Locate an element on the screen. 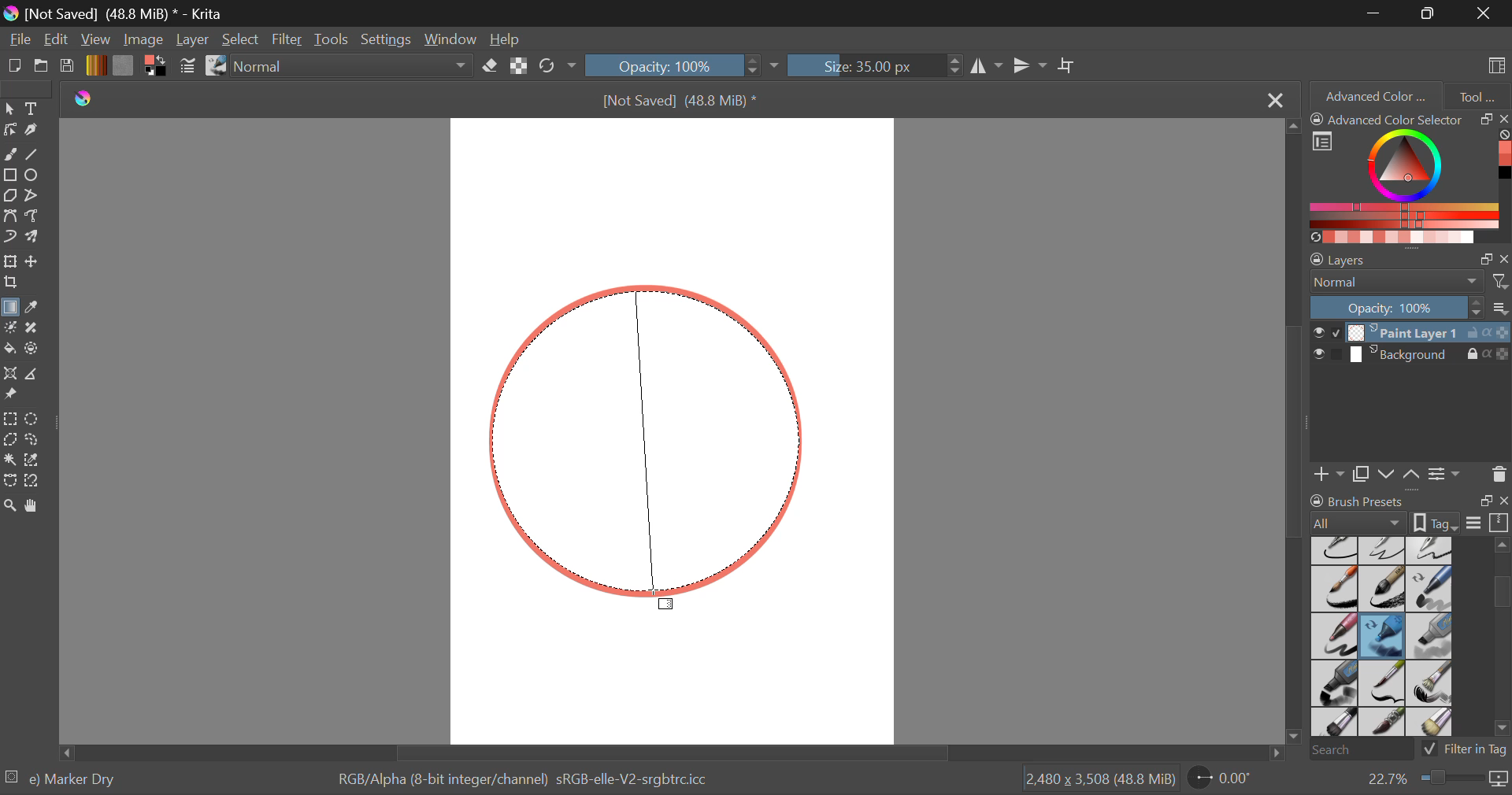  Rectangle is located at coordinates (9, 176).